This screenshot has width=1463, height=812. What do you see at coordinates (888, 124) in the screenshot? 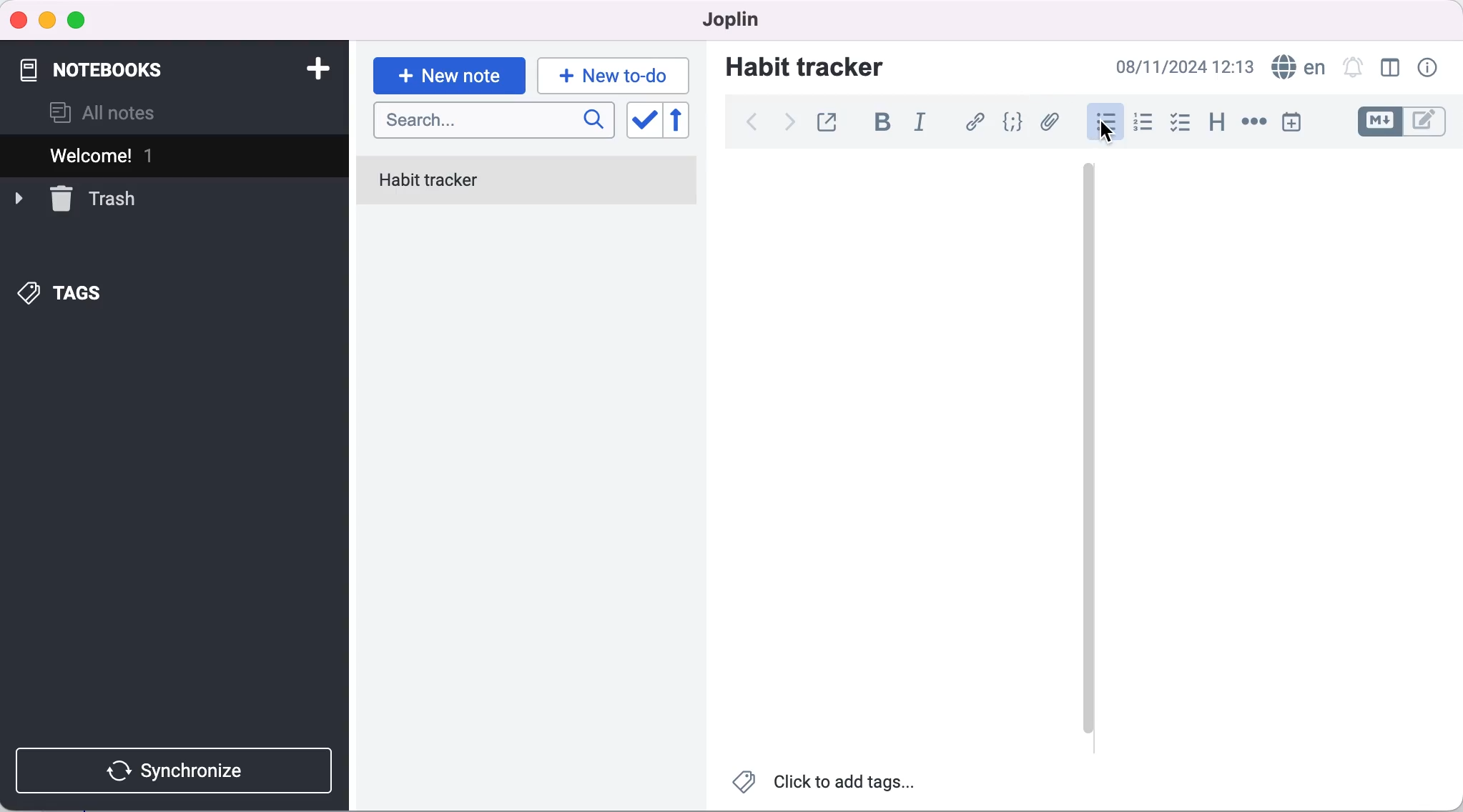
I see `bold` at bounding box center [888, 124].